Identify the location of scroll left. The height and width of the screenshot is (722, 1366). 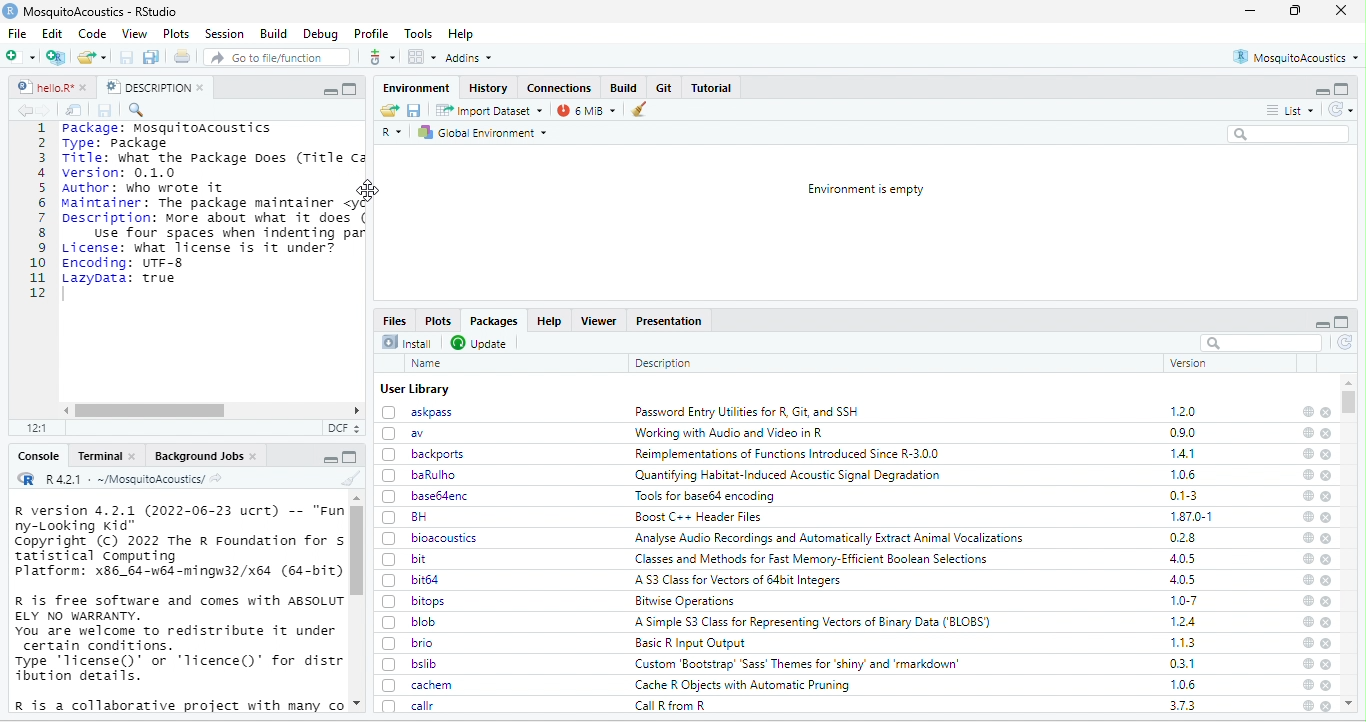
(63, 409).